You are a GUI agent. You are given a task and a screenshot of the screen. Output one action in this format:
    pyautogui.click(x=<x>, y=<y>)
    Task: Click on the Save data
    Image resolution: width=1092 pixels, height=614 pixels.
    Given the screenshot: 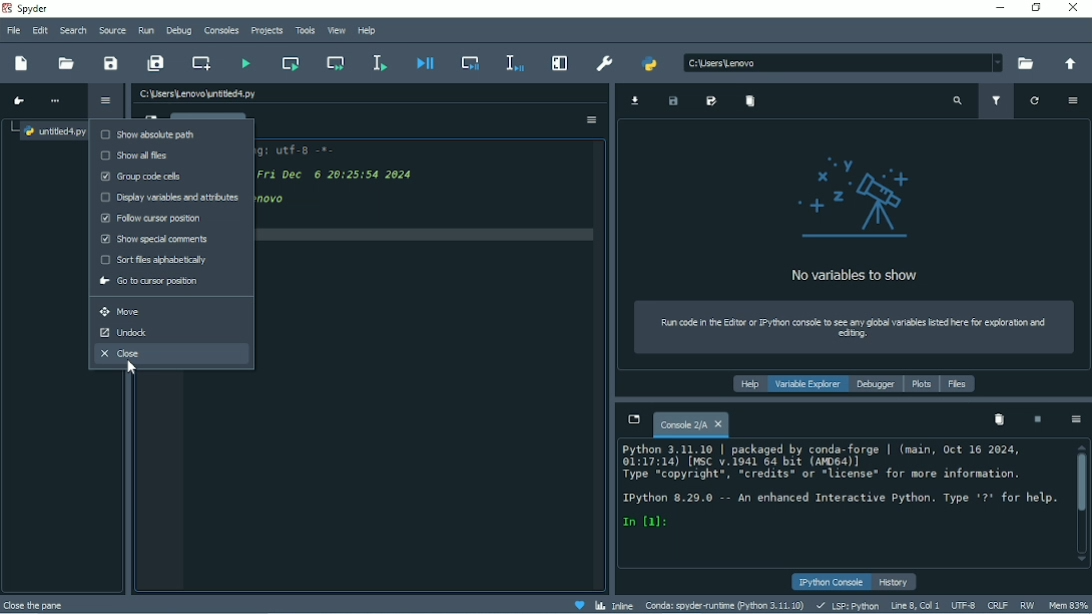 What is the action you would take?
    pyautogui.click(x=673, y=101)
    